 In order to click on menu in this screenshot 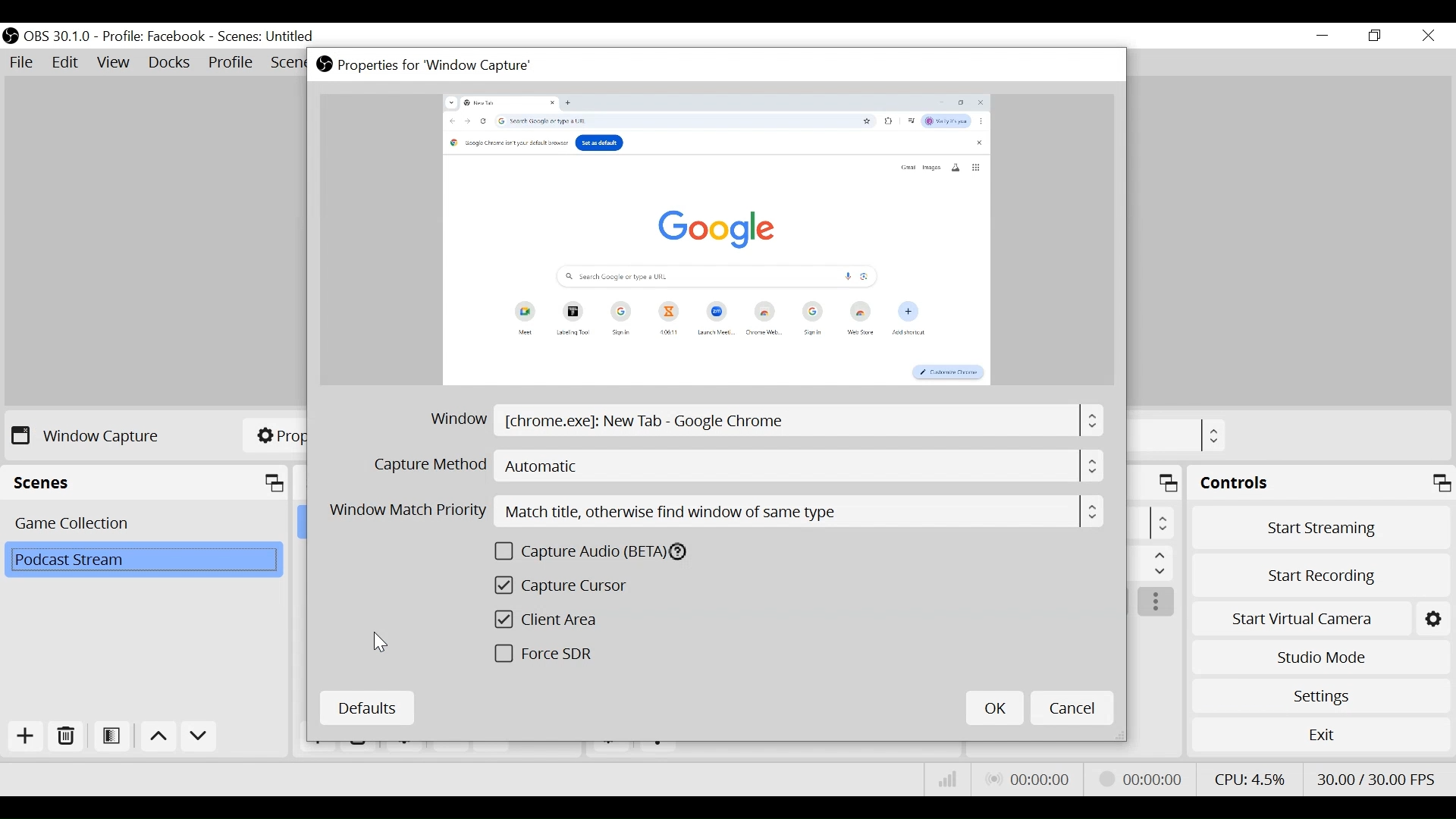, I will do `click(1213, 436)`.